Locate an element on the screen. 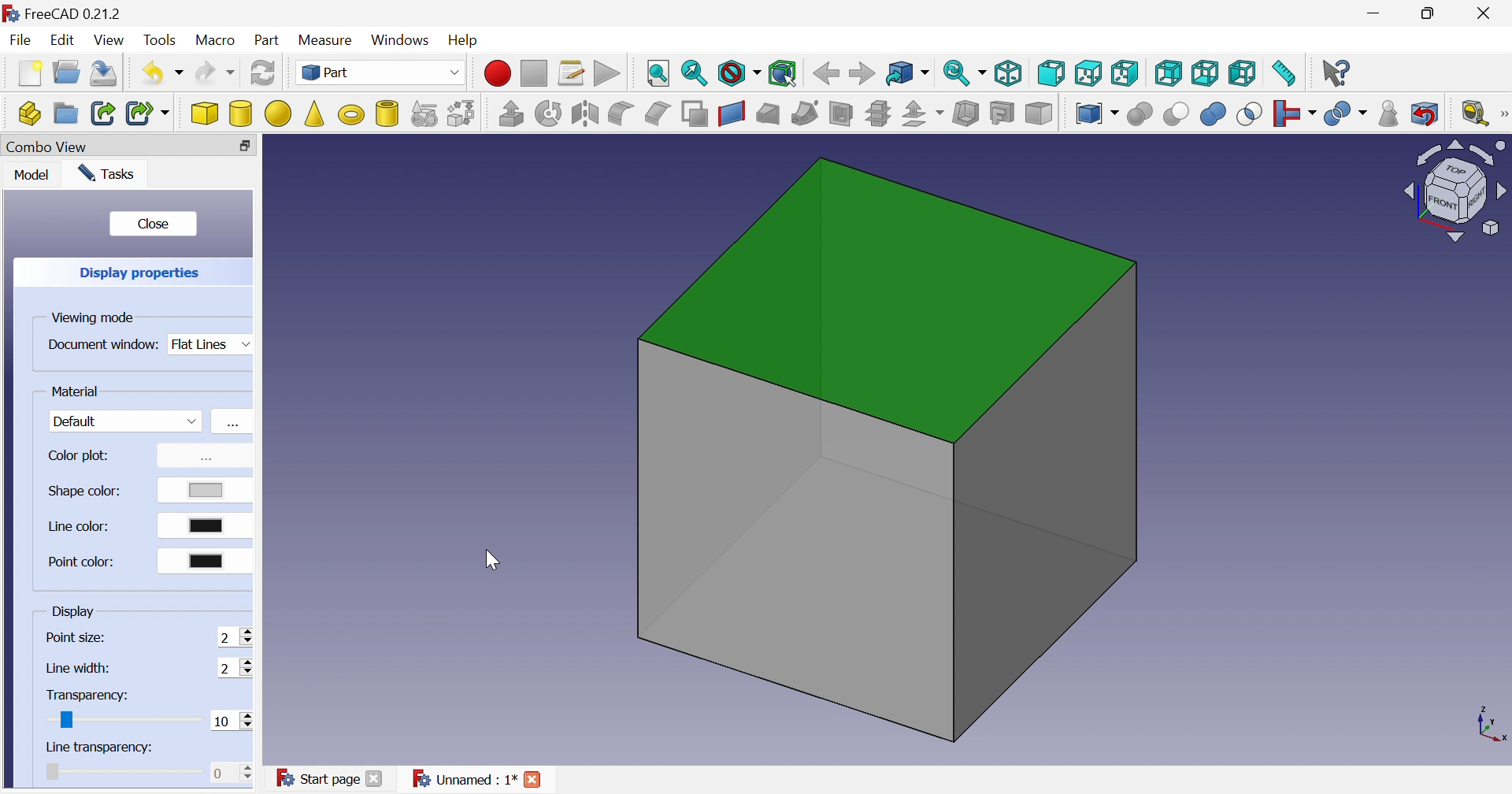 This screenshot has width=1512, height=794. Intersection is located at coordinates (1251, 113).